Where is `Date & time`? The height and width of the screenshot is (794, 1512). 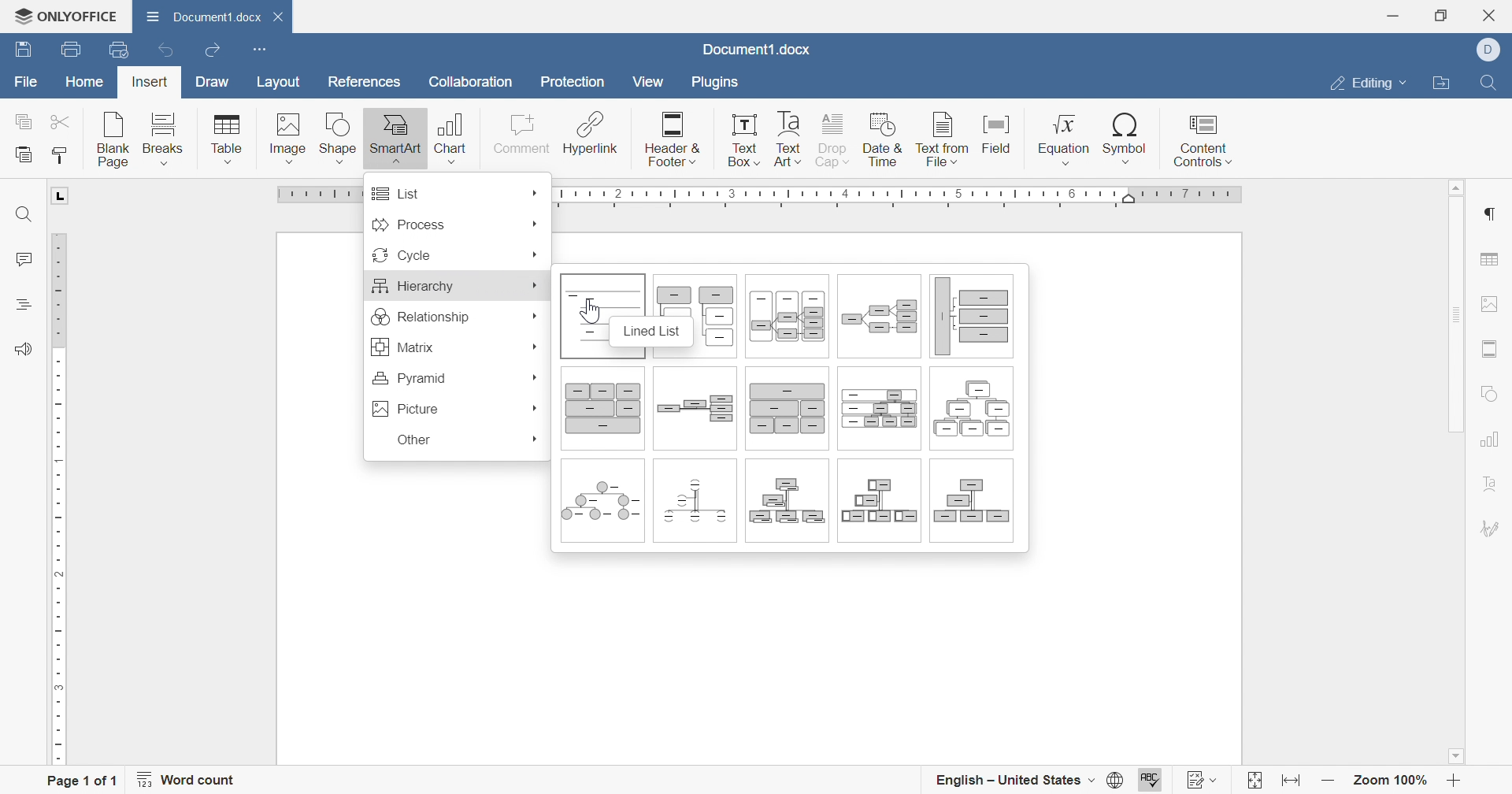
Date & time is located at coordinates (883, 141).